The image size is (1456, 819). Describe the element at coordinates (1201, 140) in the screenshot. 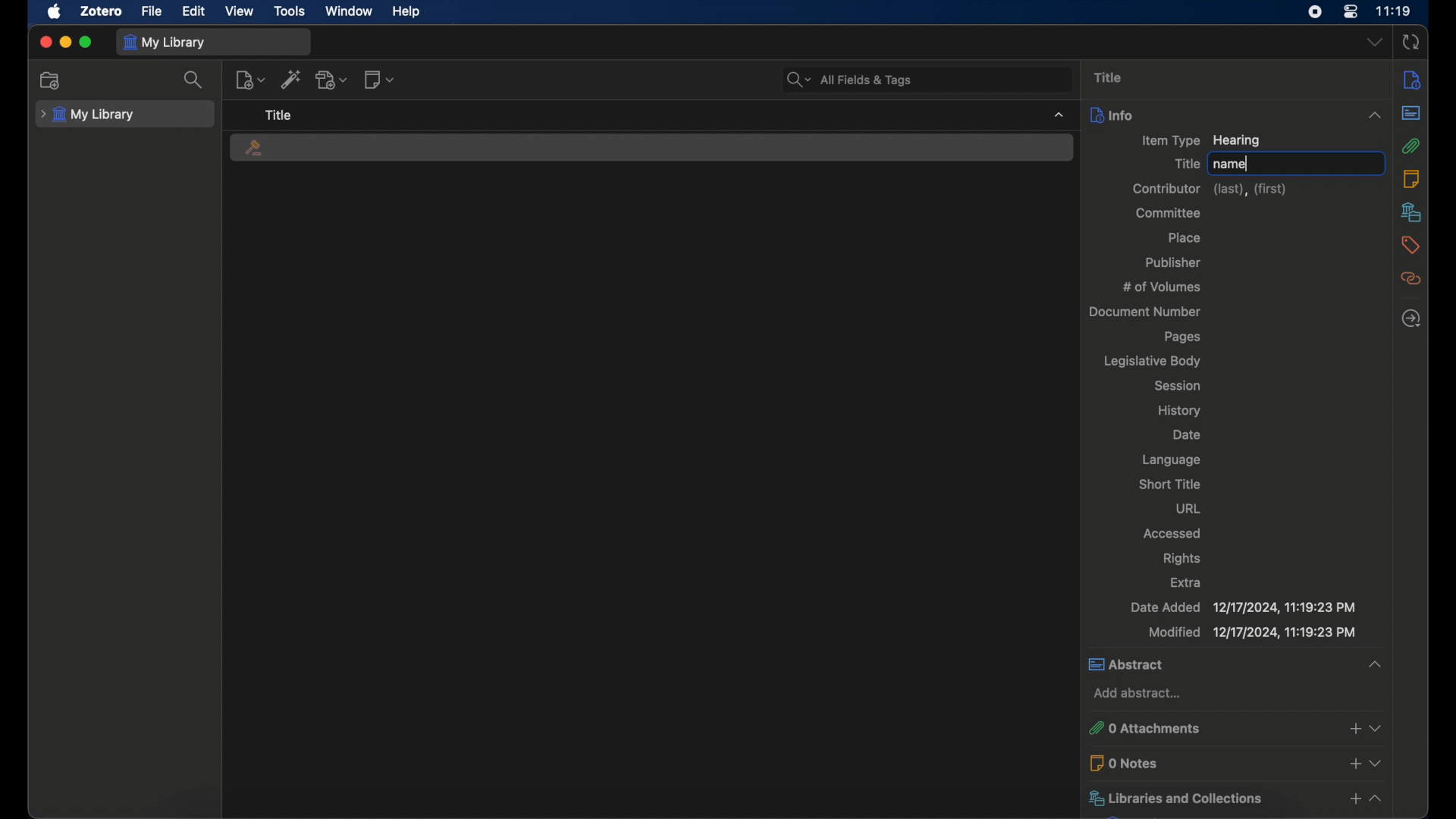

I see `item type ` at that location.